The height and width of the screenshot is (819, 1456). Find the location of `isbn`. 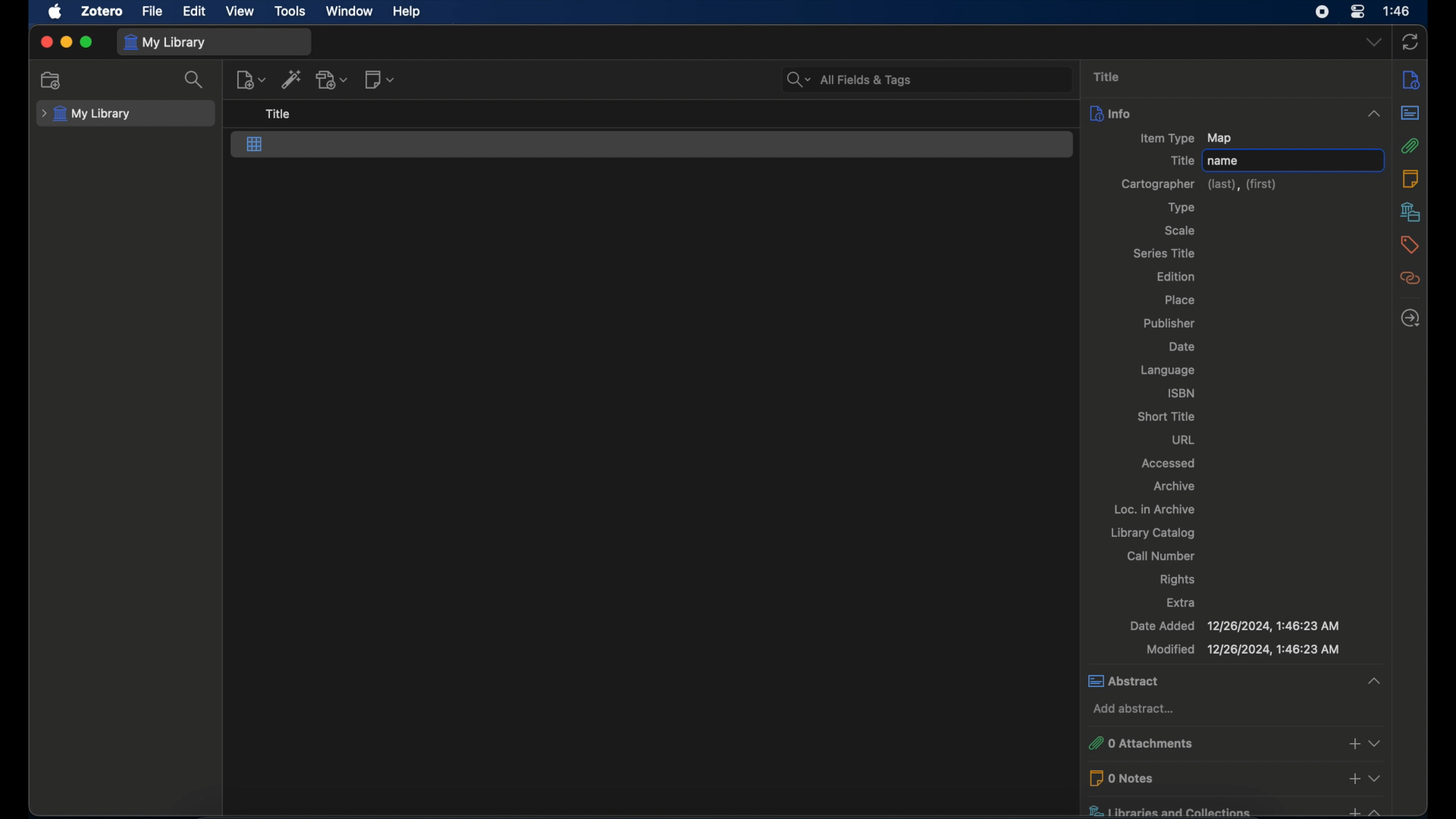

isbn is located at coordinates (1181, 393).